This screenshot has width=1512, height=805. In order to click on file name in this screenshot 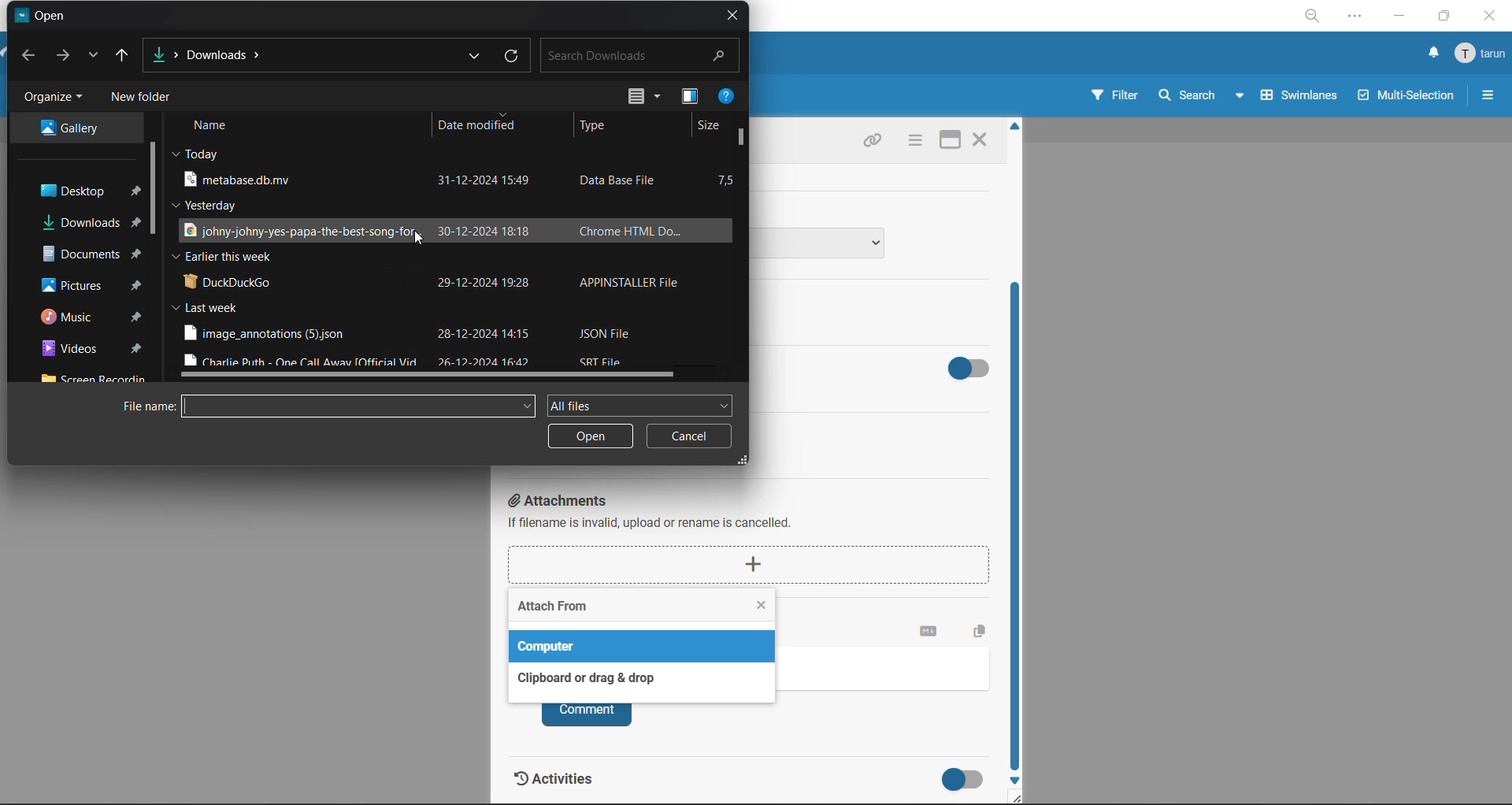, I will do `click(324, 406)`.